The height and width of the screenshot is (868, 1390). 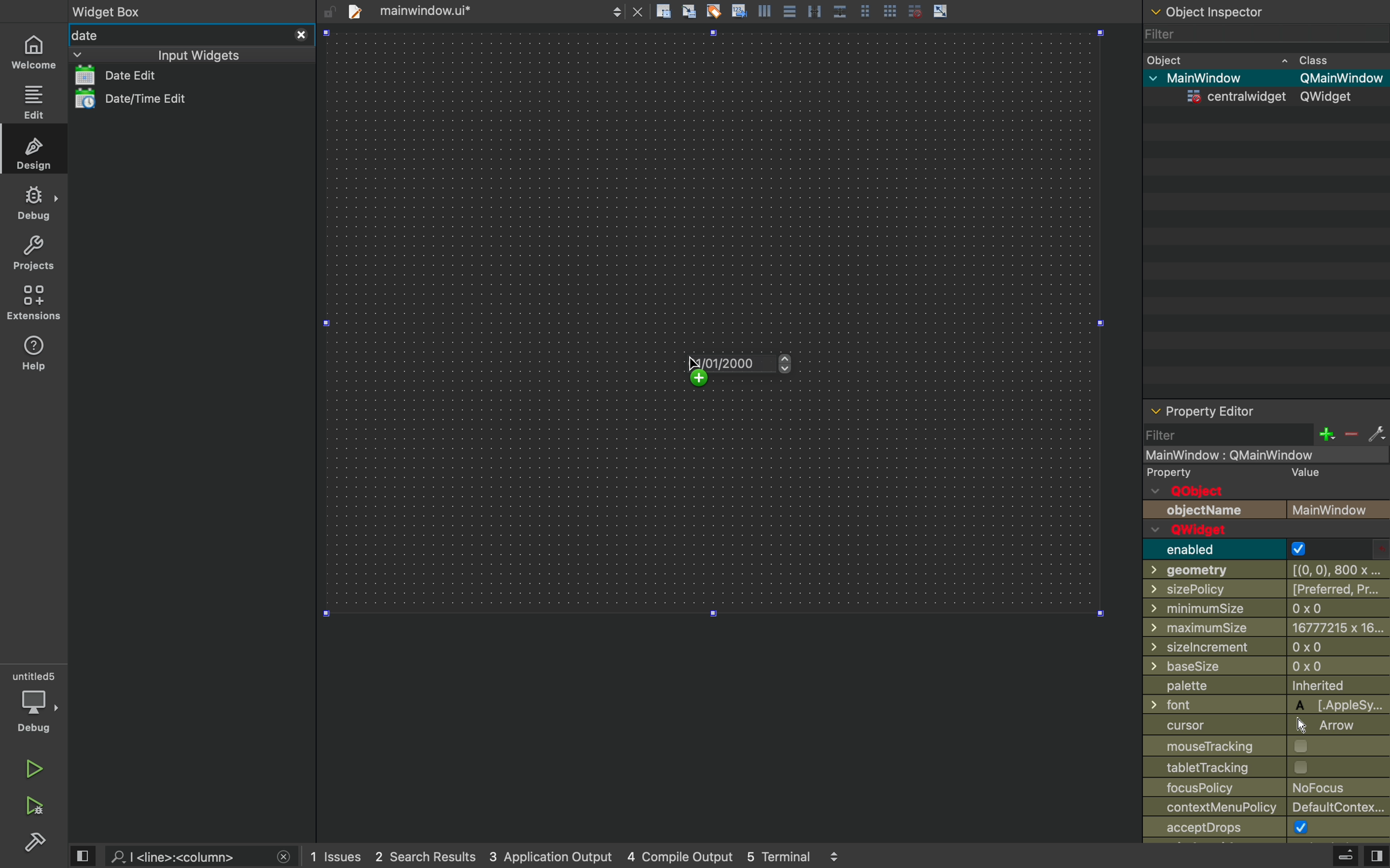 I want to click on distribute vertically, so click(x=840, y=10).